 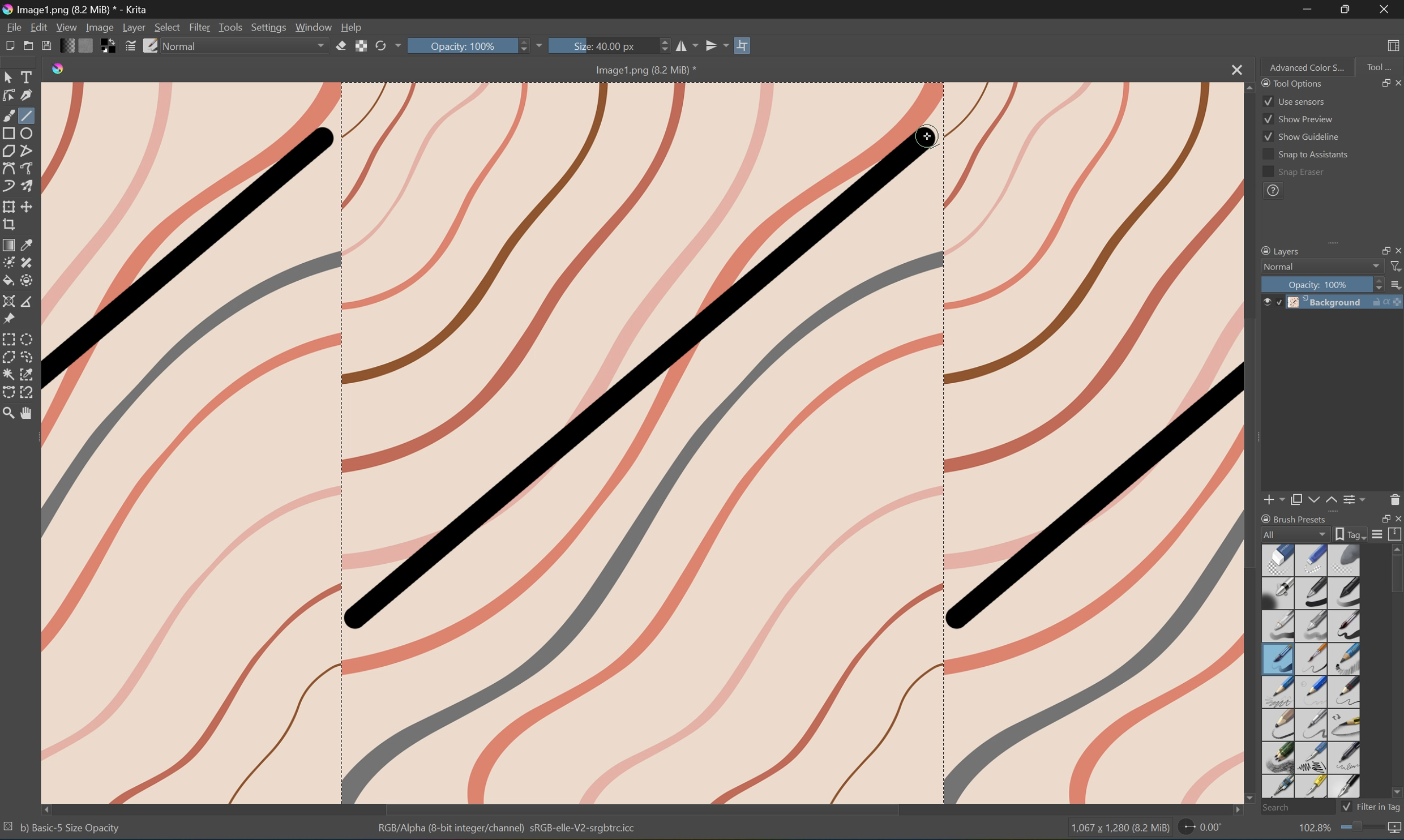 What do you see at coordinates (10, 302) in the screenshot?
I see `Assistant tool` at bounding box center [10, 302].